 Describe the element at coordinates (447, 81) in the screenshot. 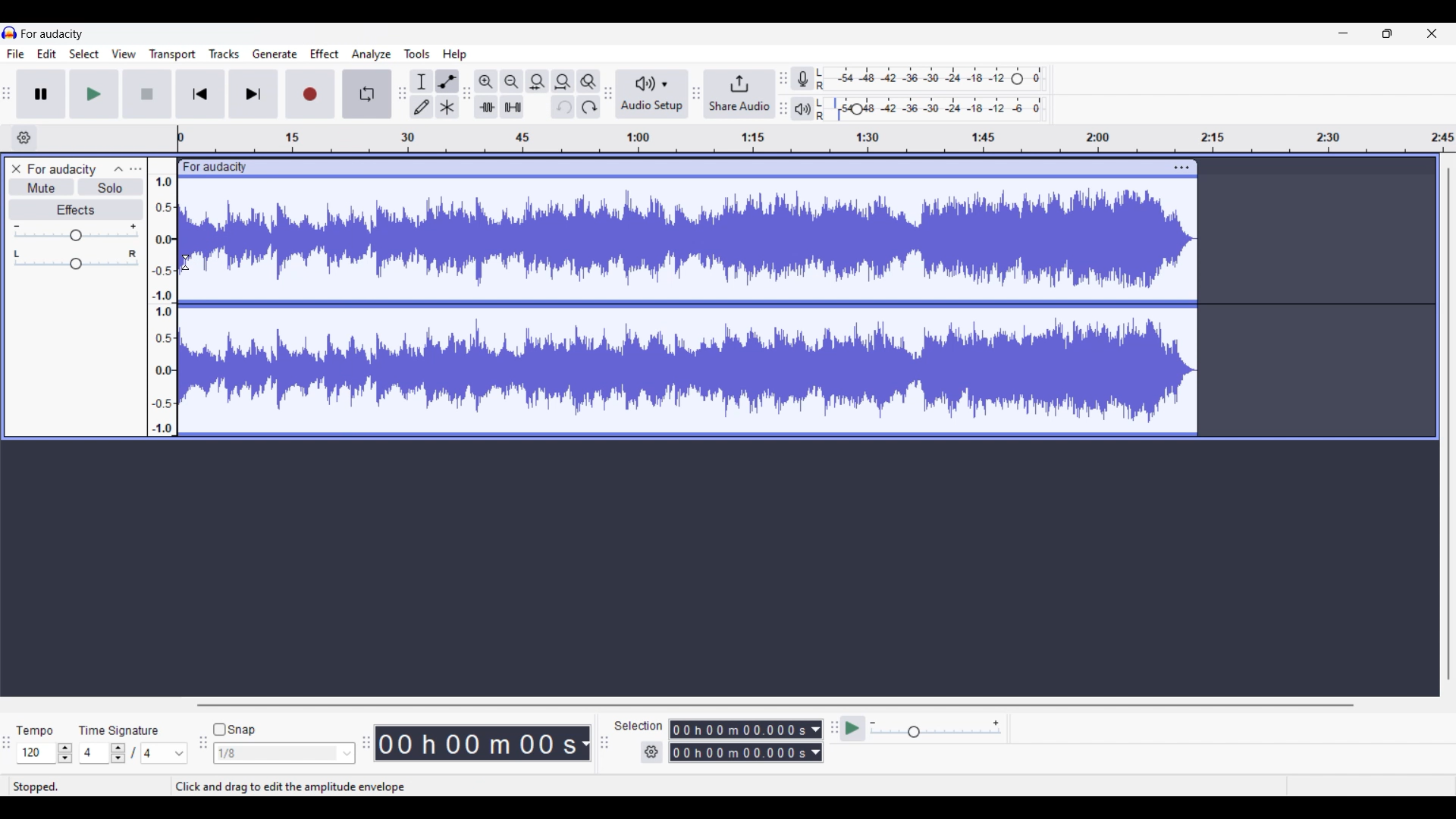

I see `envelop tool` at that location.